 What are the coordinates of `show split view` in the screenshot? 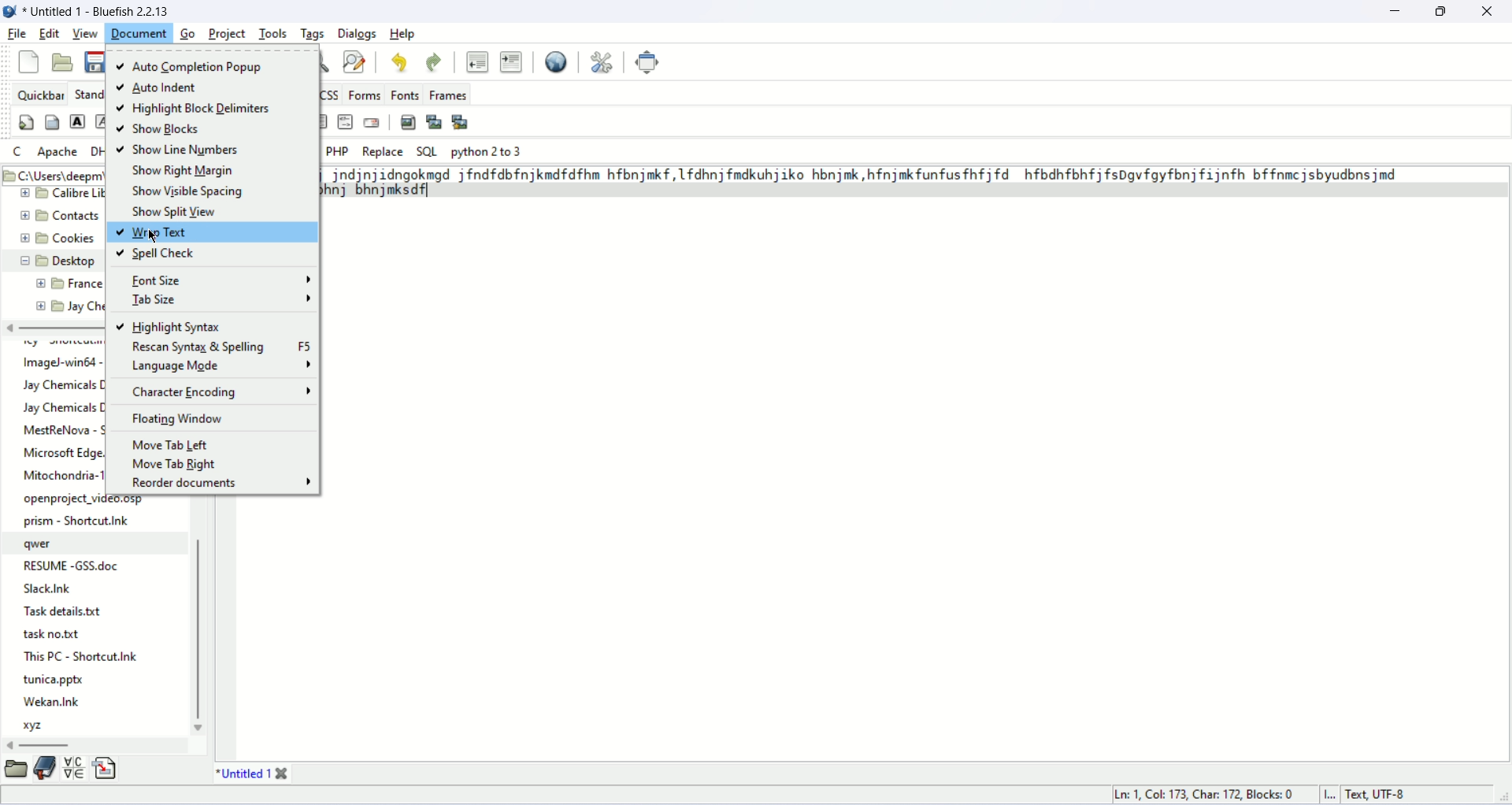 It's located at (173, 213).